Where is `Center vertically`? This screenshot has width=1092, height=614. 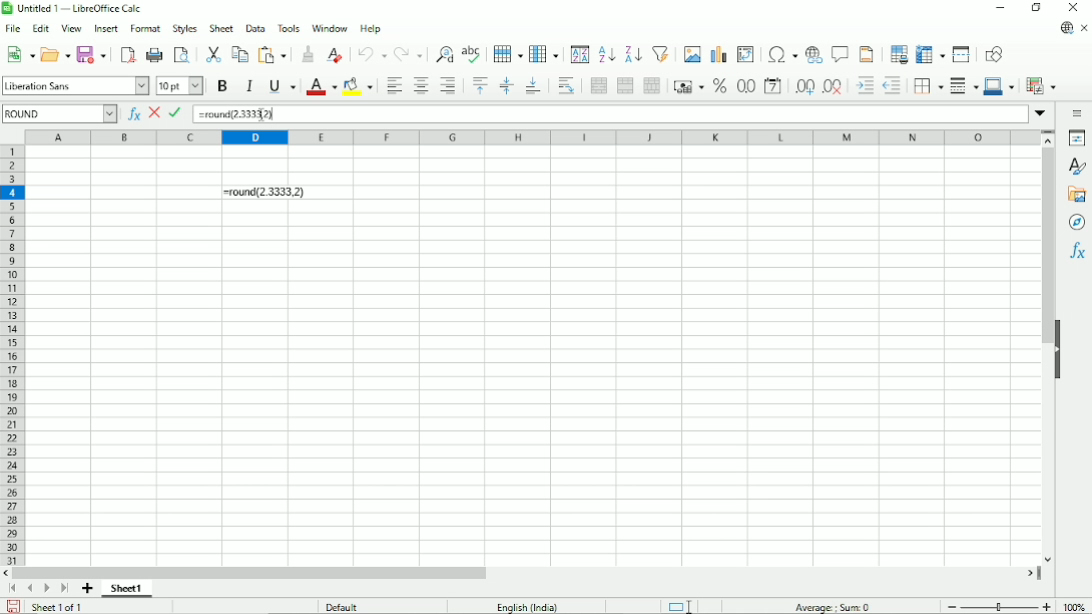
Center vertically is located at coordinates (507, 86).